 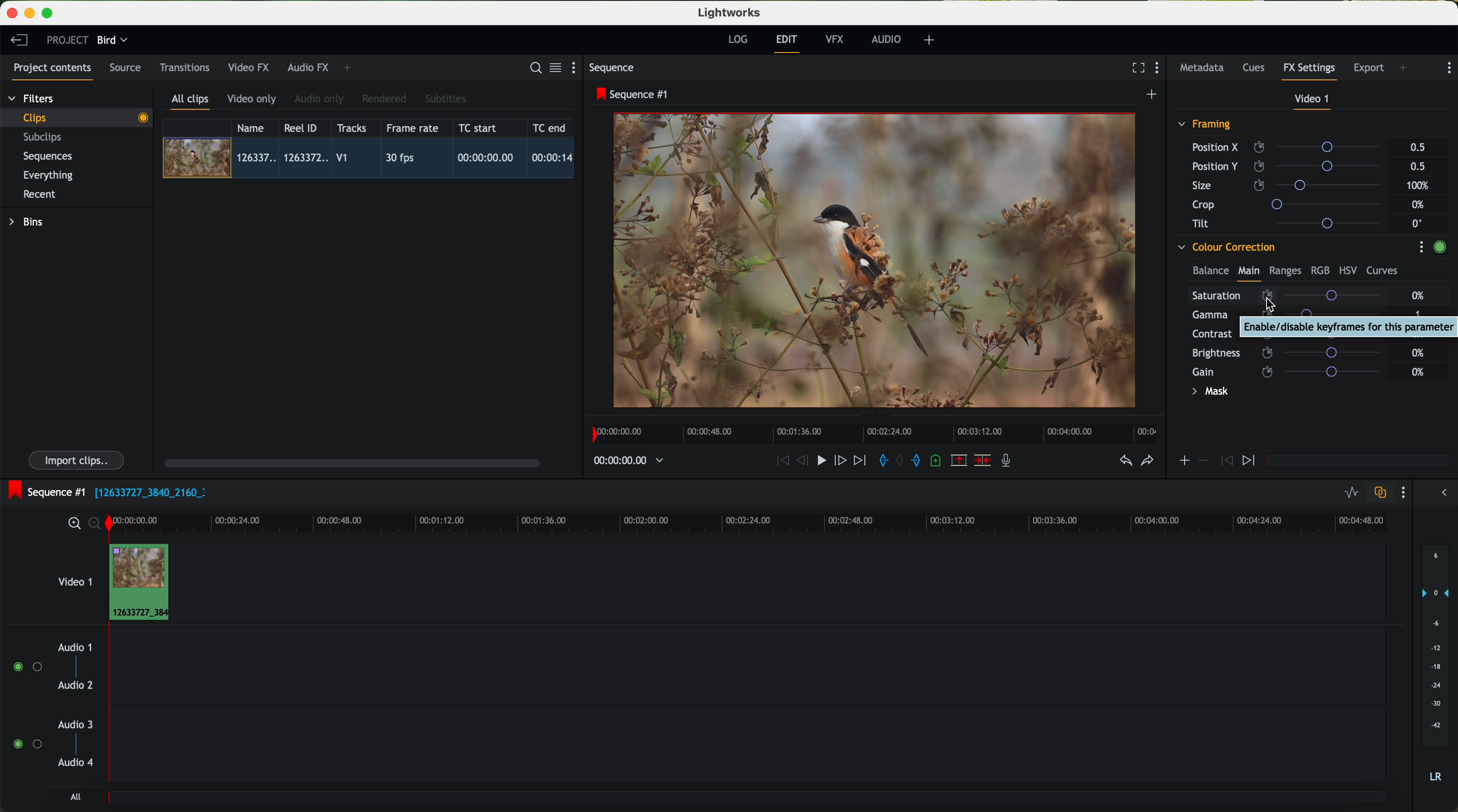 What do you see at coordinates (184, 67) in the screenshot?
I see `transitions` at bounding box center [184, 67].